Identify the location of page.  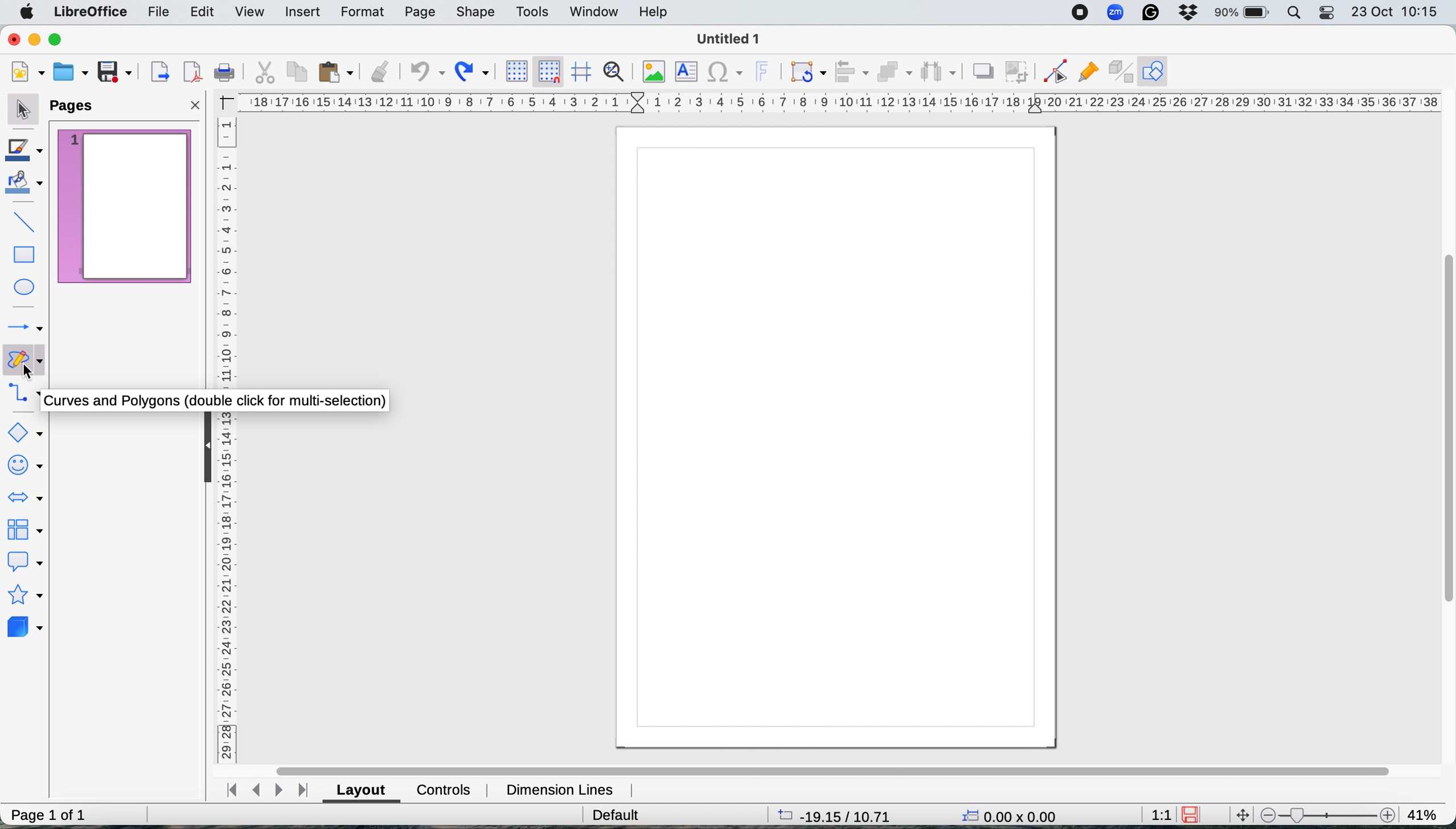
(836, 441).